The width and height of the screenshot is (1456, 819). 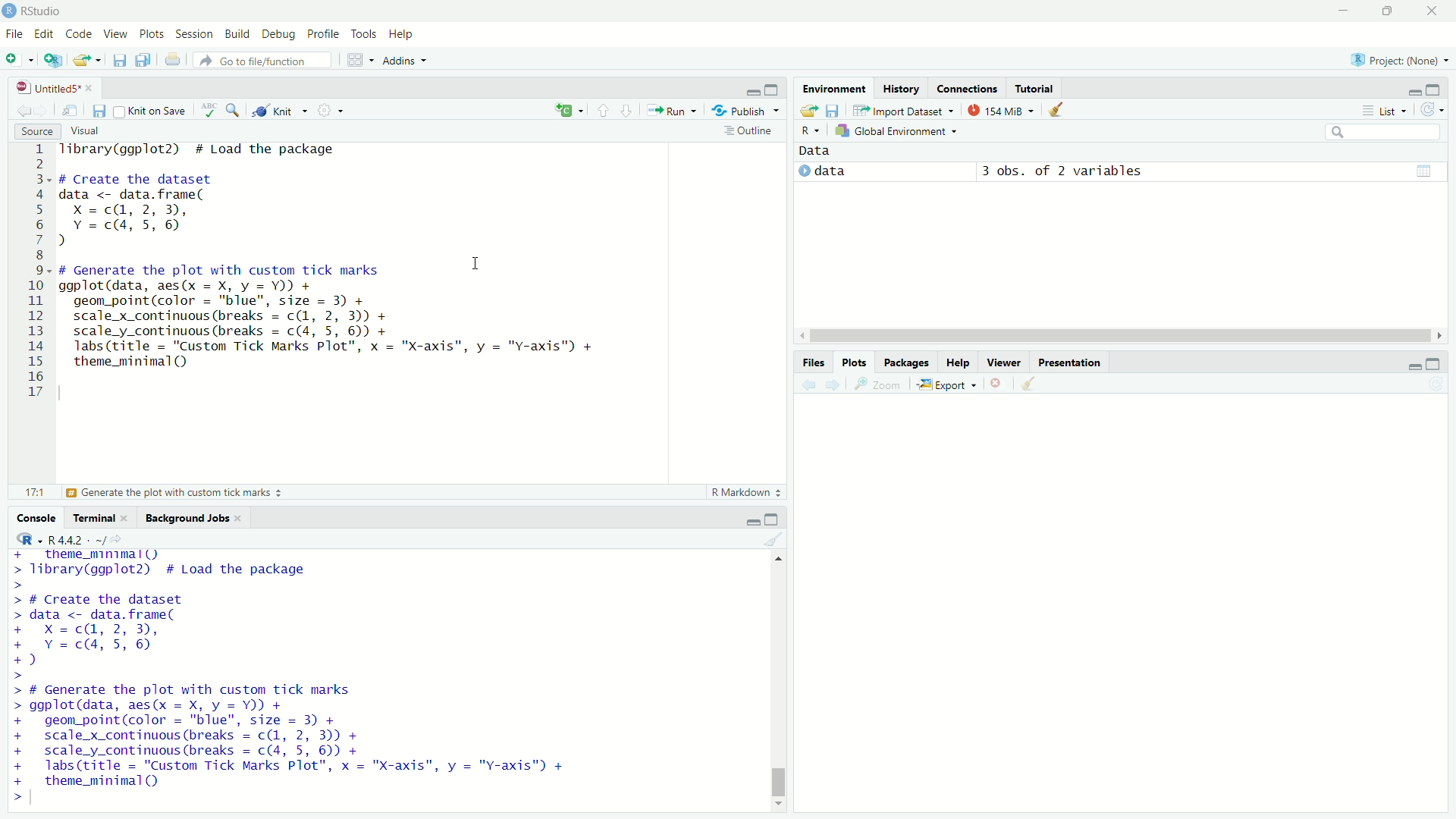 I want to click on connections, so click(x=966, y=88).